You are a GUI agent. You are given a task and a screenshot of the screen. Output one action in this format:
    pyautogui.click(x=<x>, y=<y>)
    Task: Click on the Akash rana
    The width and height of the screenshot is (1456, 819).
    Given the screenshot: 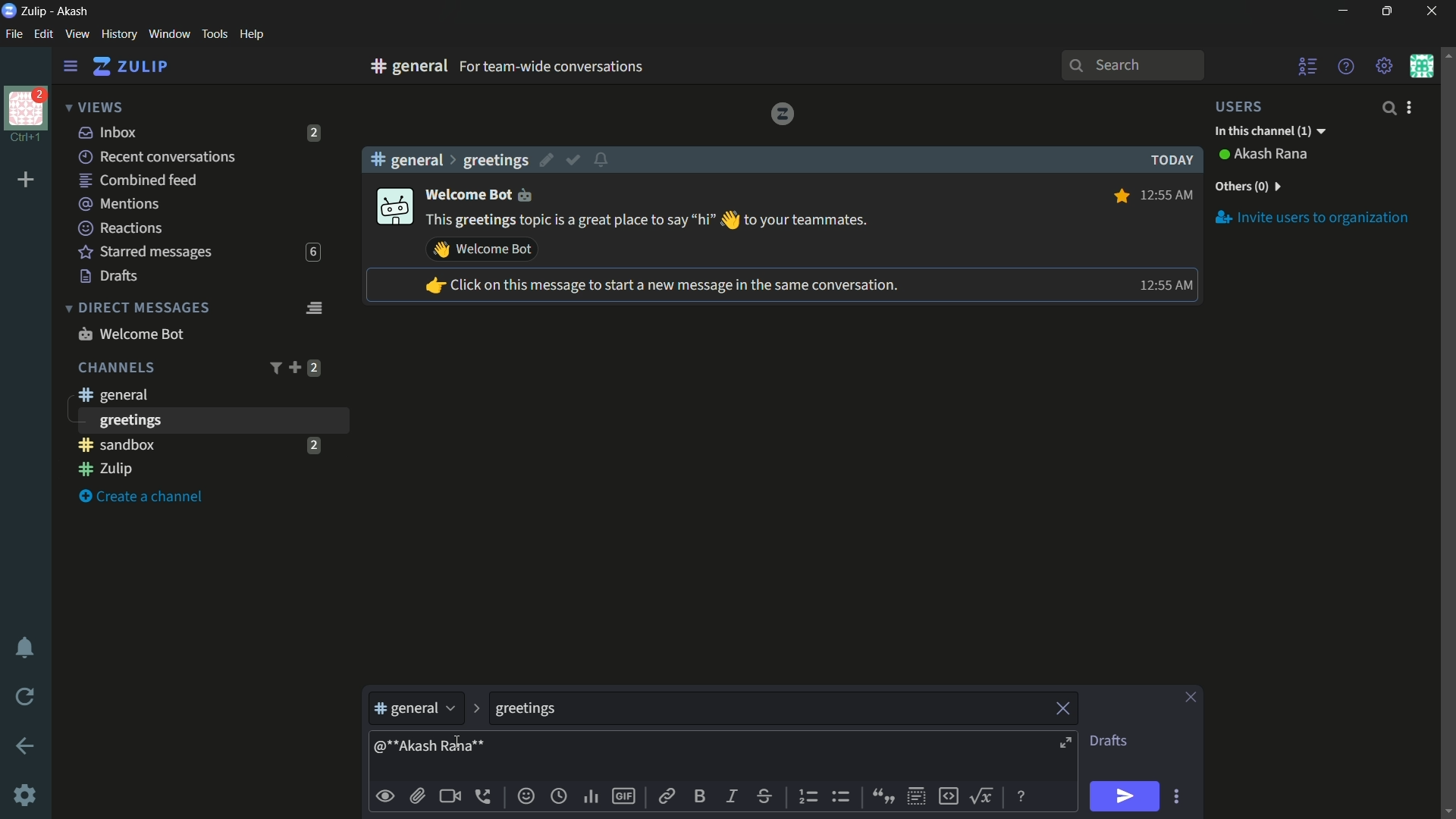 What is the action you would take?
    pyautogui.click(x=1272, y=155)
    